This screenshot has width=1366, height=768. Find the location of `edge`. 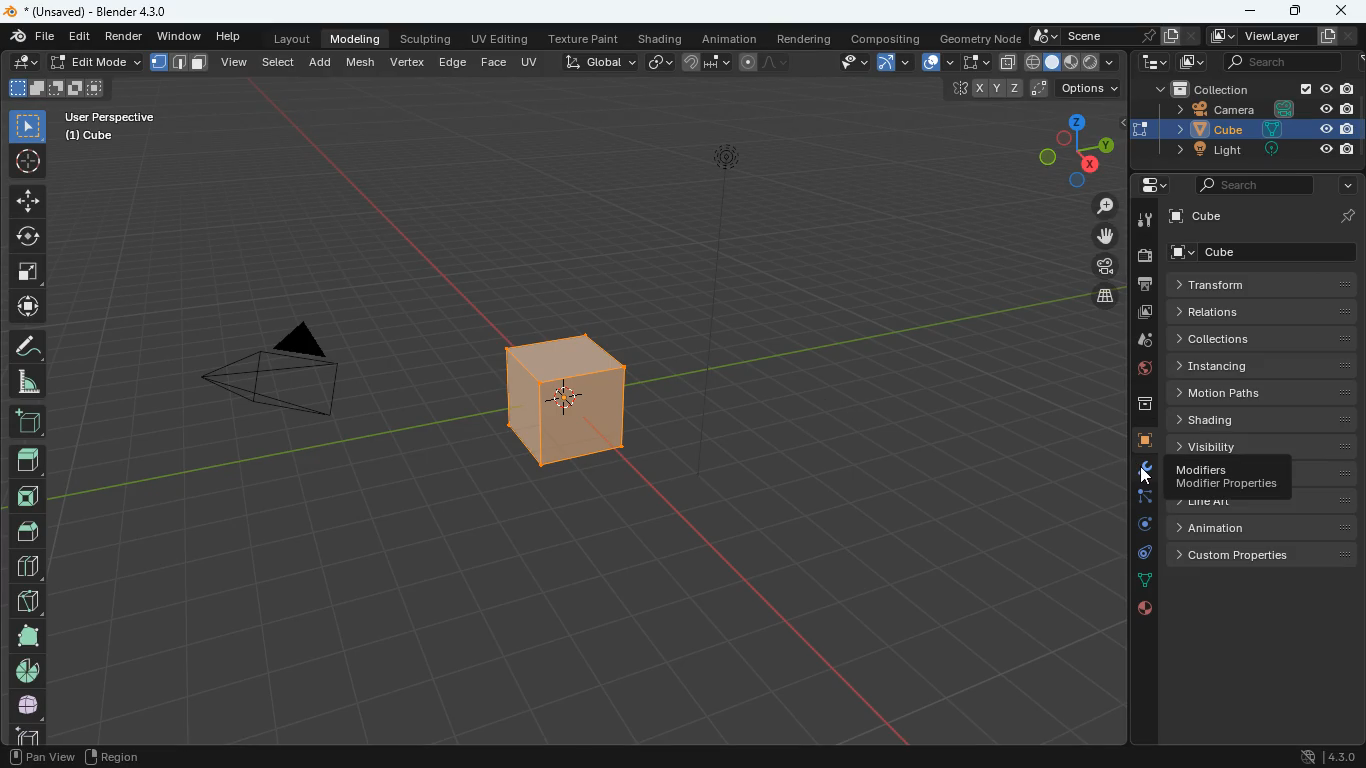

edge is located at coordinates (1136, 498).